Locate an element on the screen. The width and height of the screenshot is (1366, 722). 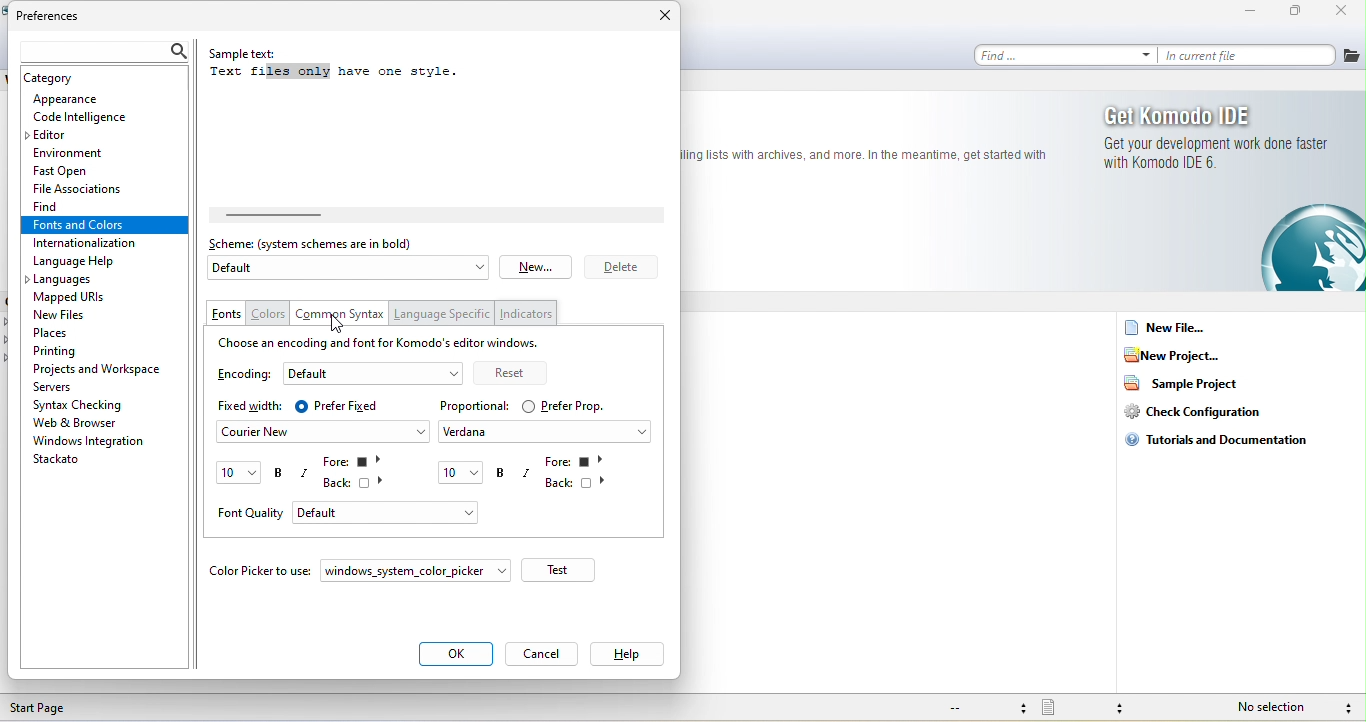
mapped urls is located at coordinates (76, 298).